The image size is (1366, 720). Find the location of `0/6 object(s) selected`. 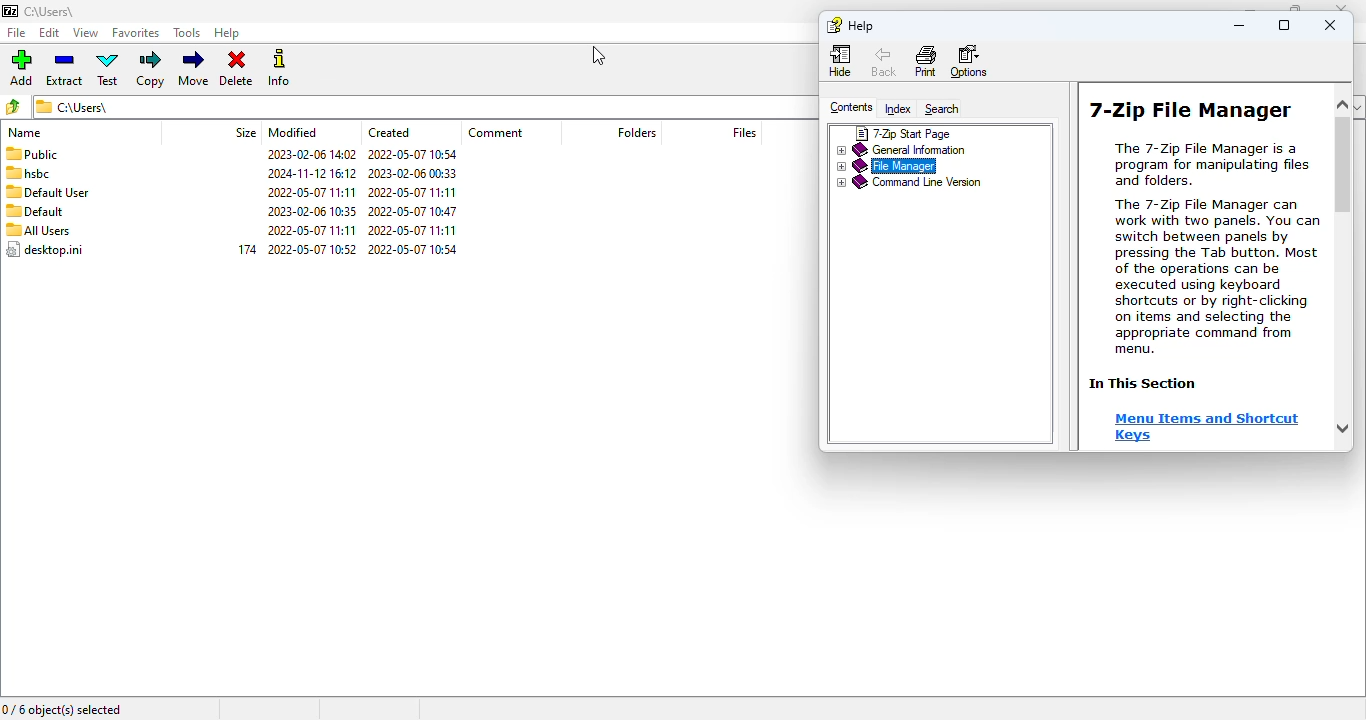

0/6 object(s) selected is located at coordinates (62, 710).